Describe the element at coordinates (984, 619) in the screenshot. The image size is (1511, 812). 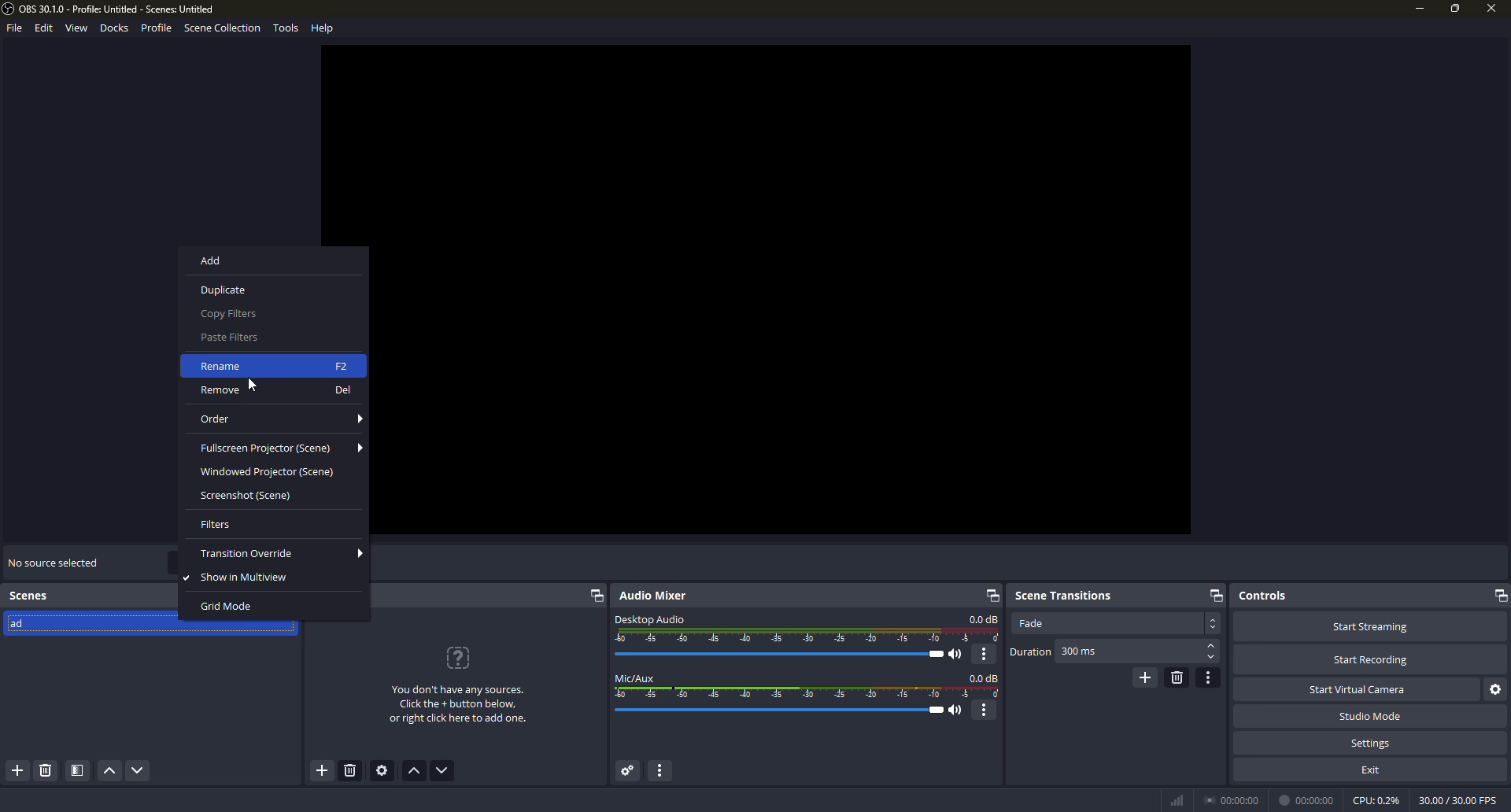
I see `db` at that location.